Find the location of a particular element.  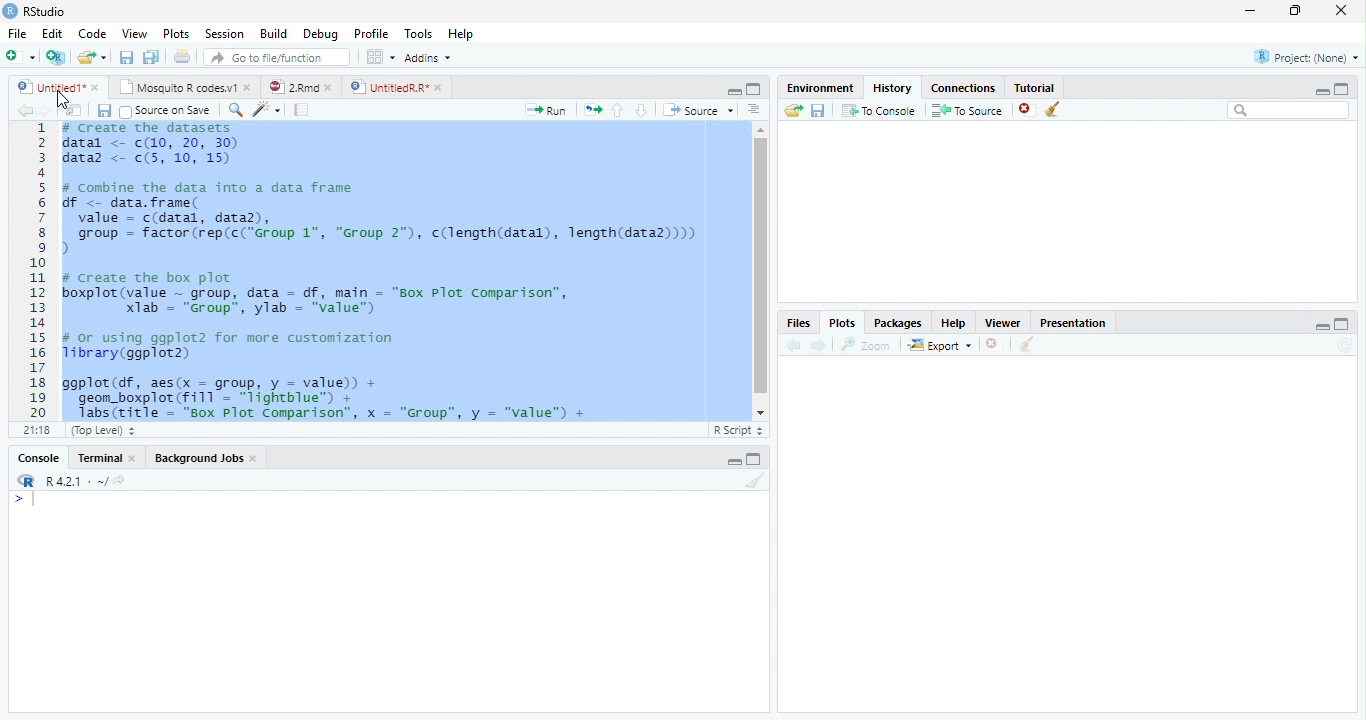

Code tools is located at coordinates (267, 110).